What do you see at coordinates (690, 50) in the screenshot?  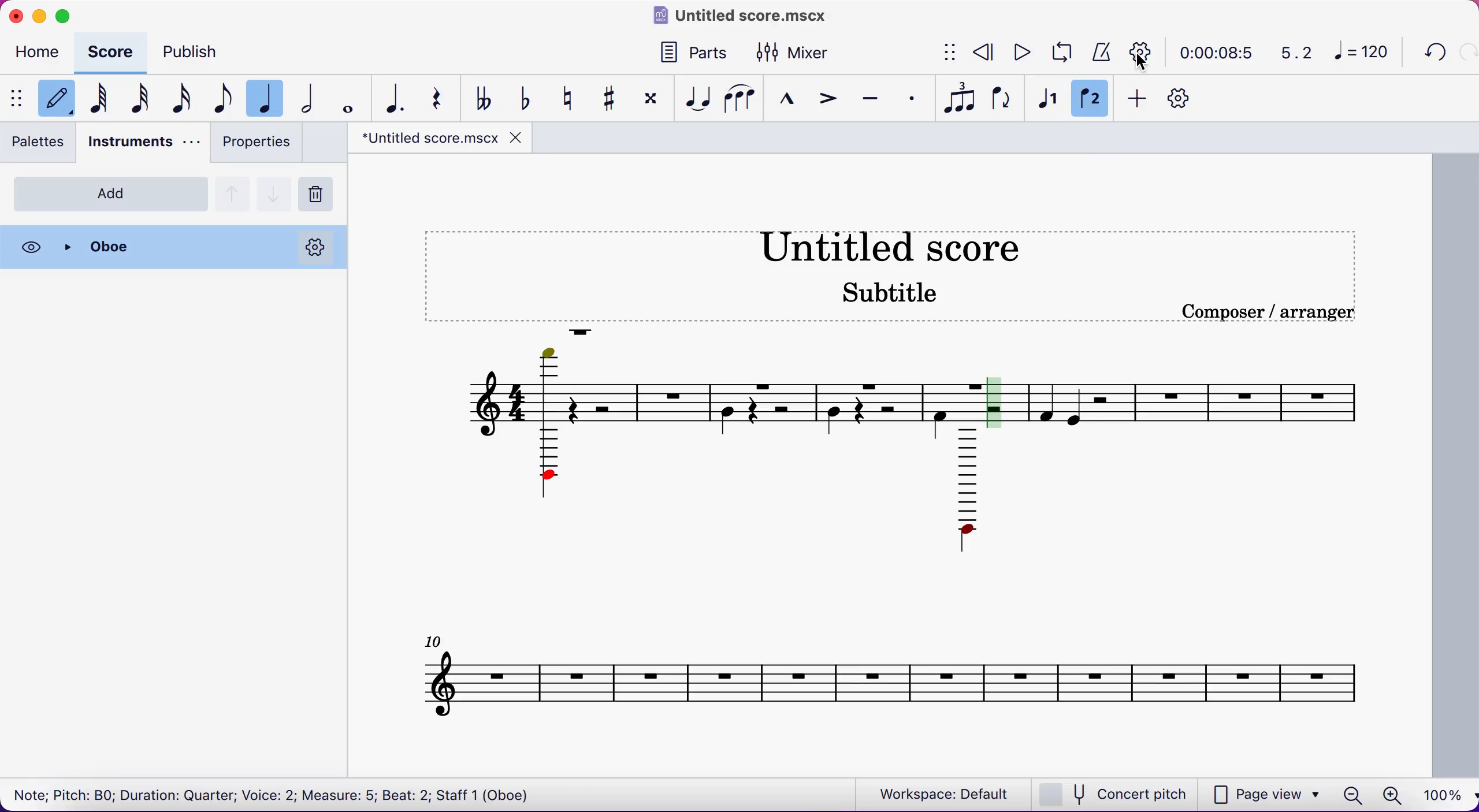 I see `parts` at bounding box center [690, 50].